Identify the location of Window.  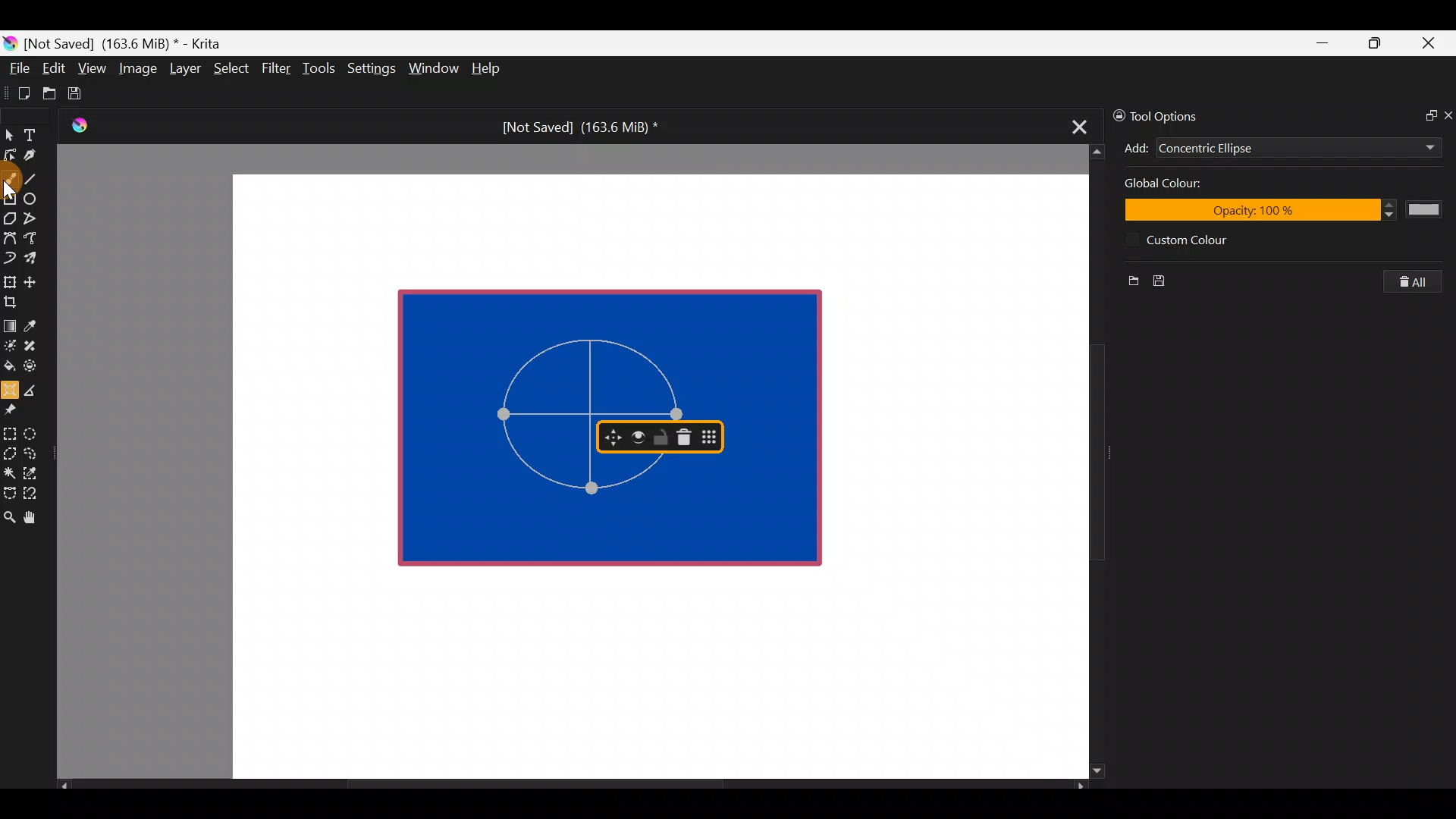
(433, 70).